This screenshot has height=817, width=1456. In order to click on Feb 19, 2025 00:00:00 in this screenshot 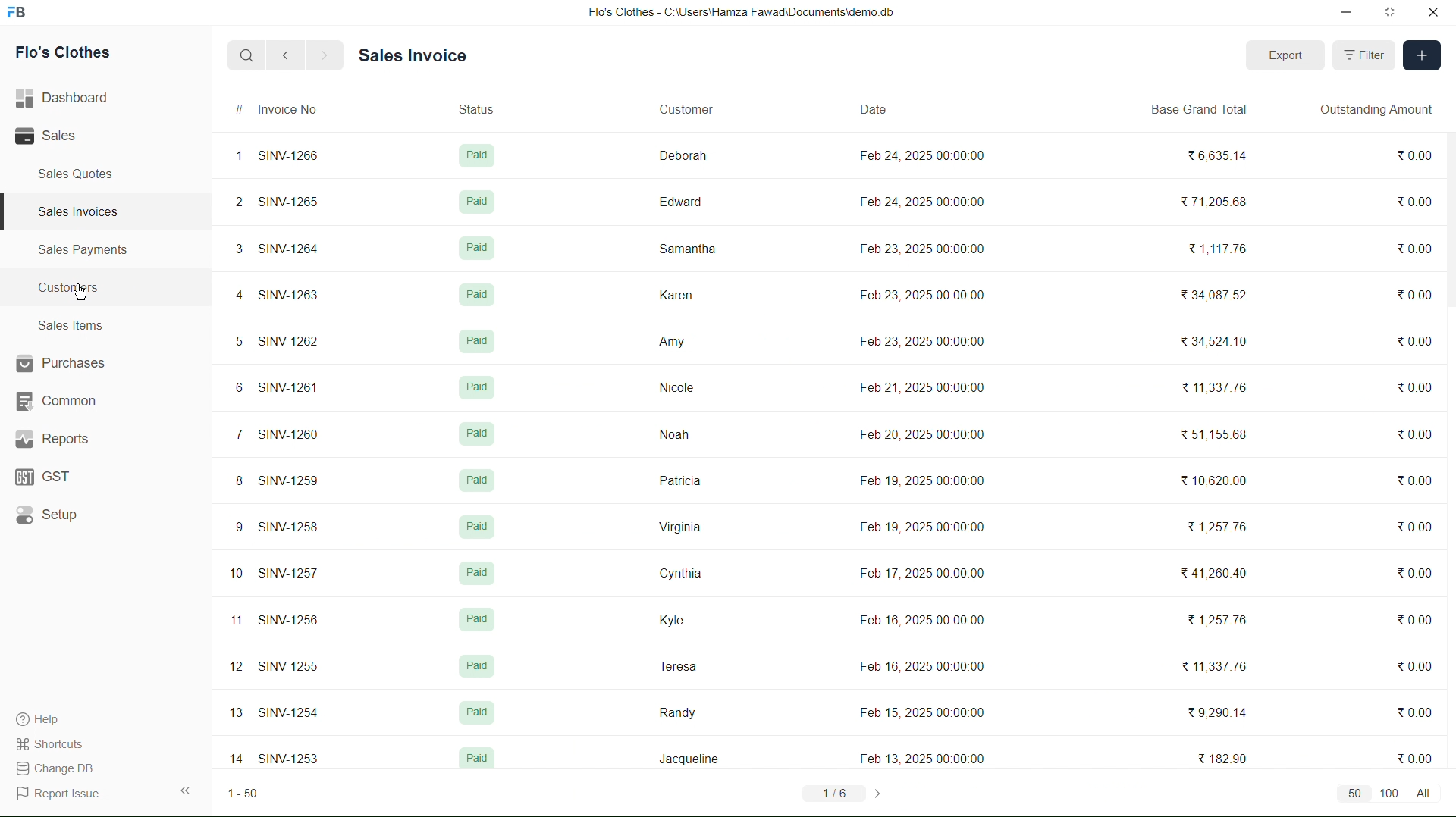, I will do `click(920, 527)`.